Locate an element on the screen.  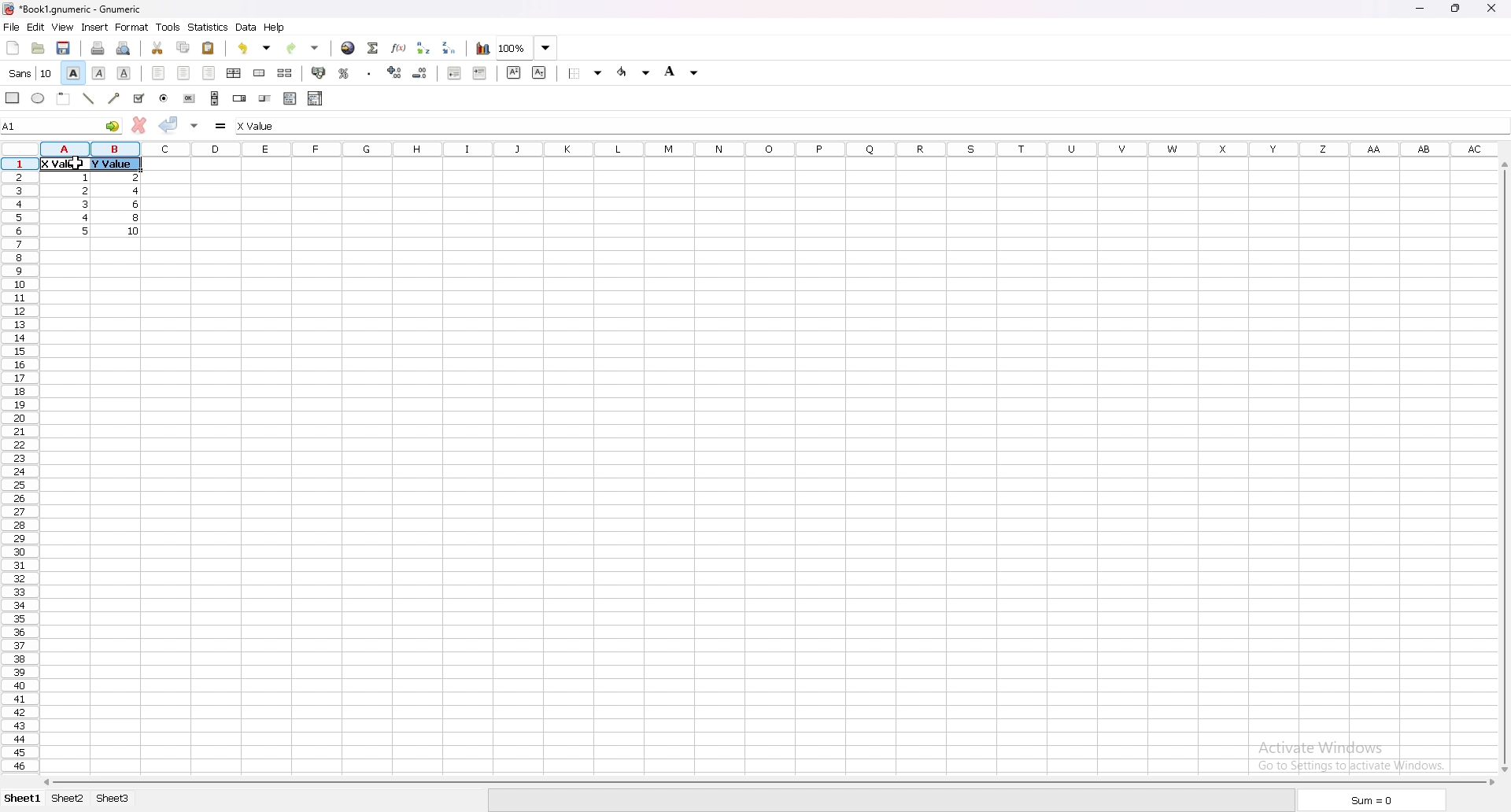
sort ascending is located at coordinates (423, 47).